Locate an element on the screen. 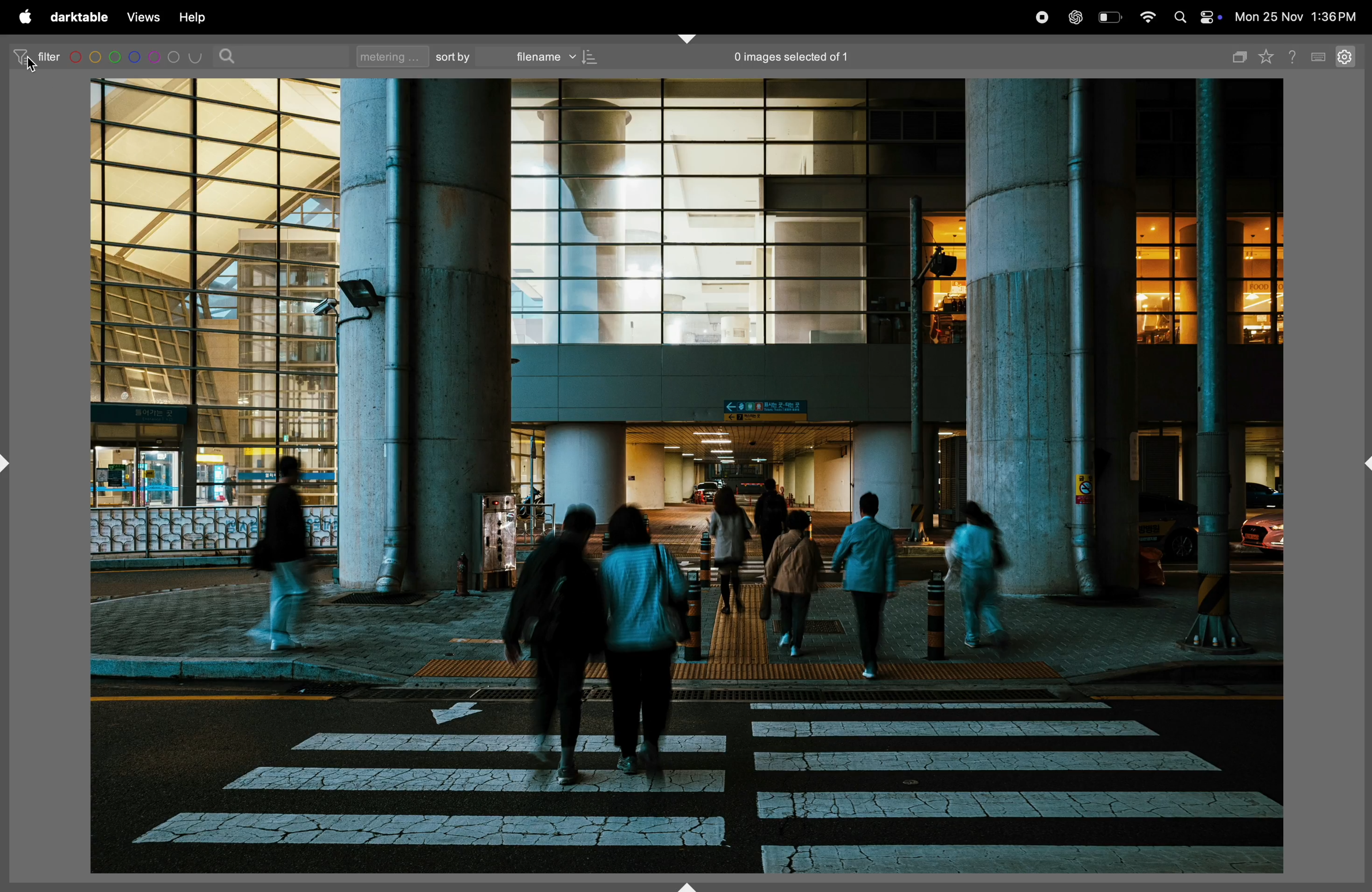  shift+ctrl+t is located at coordinates (687, 38).